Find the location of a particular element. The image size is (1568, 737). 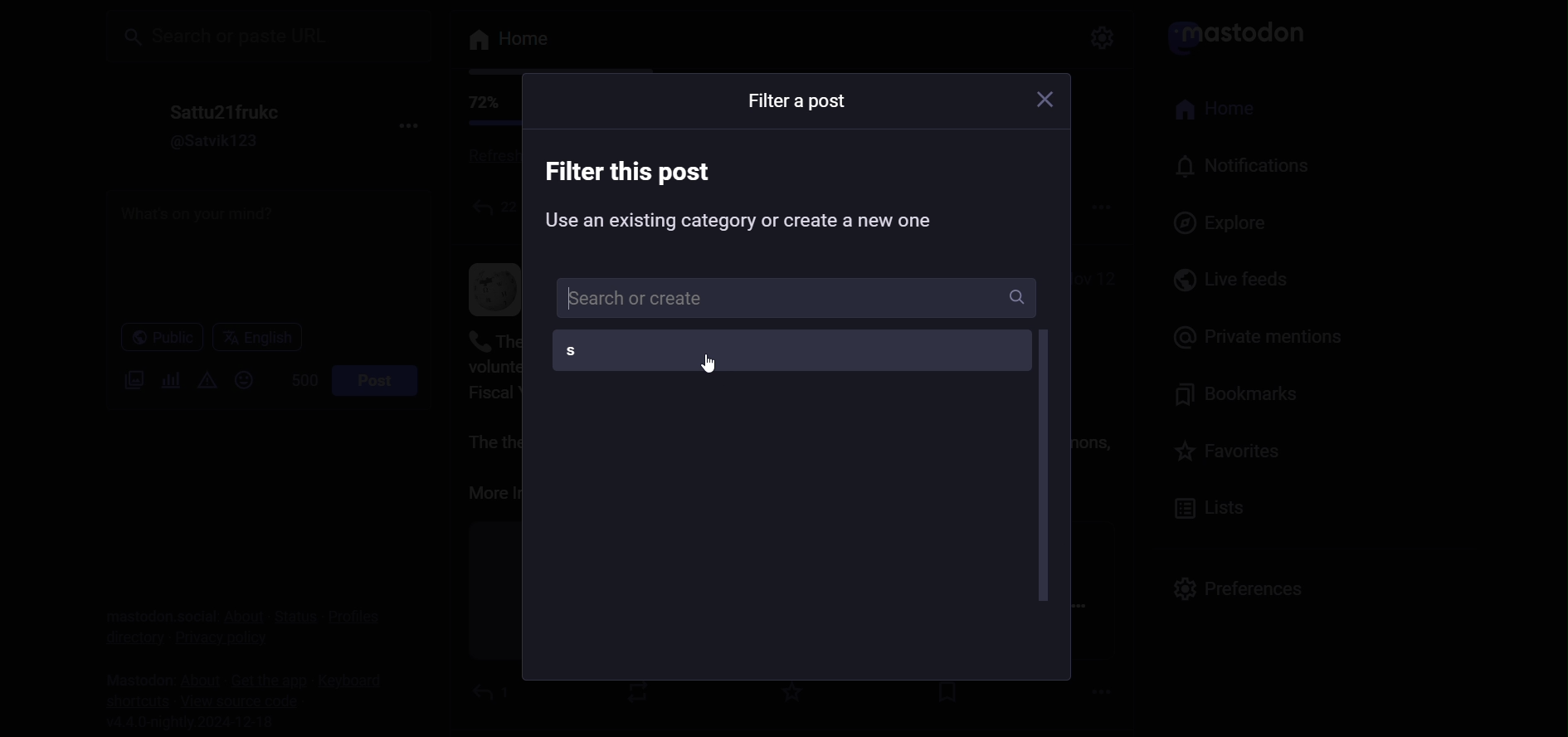

72% is located at coordinates (480, 103).